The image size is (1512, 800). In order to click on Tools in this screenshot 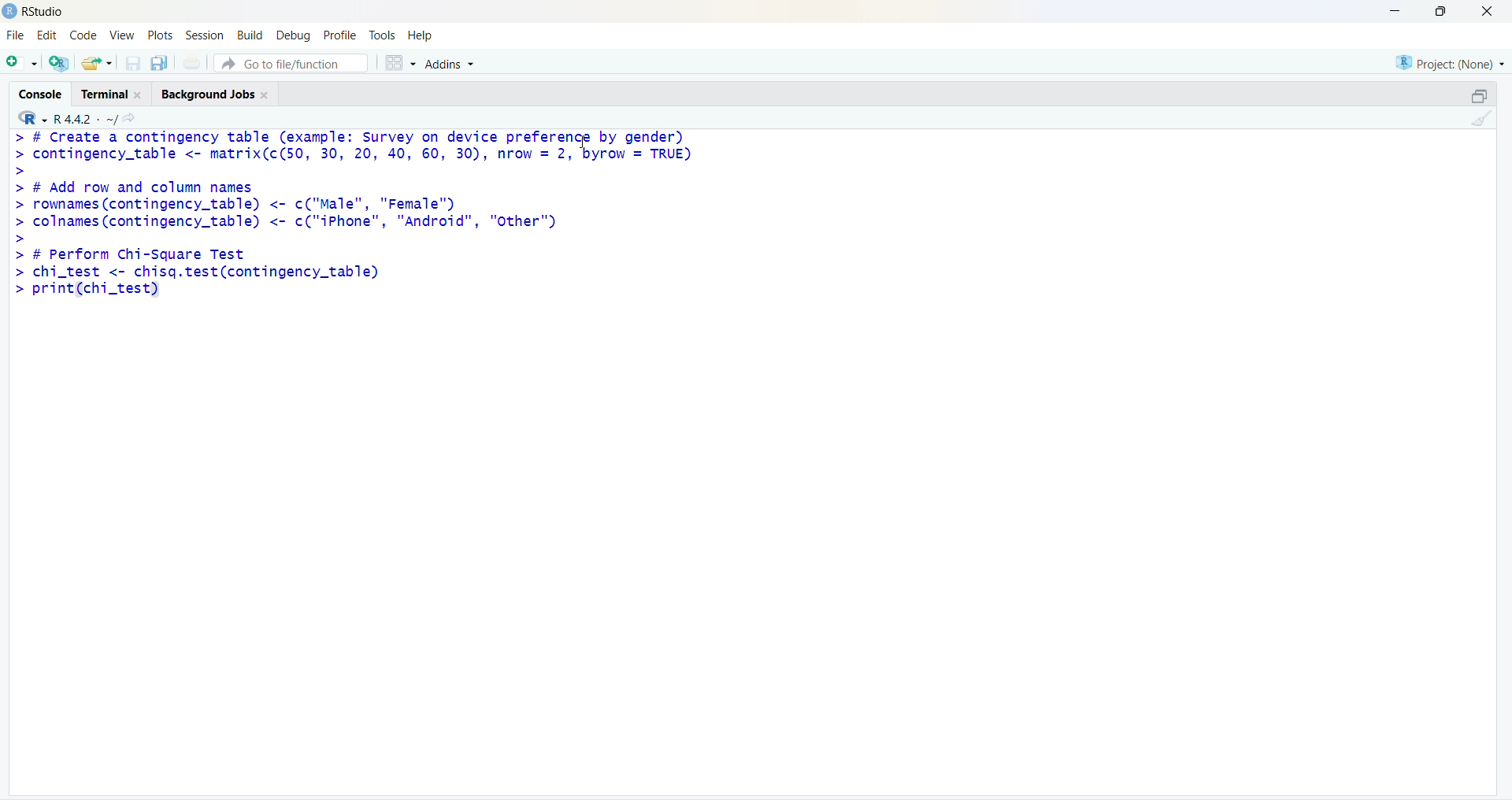, I will do `click(383, 35)`.